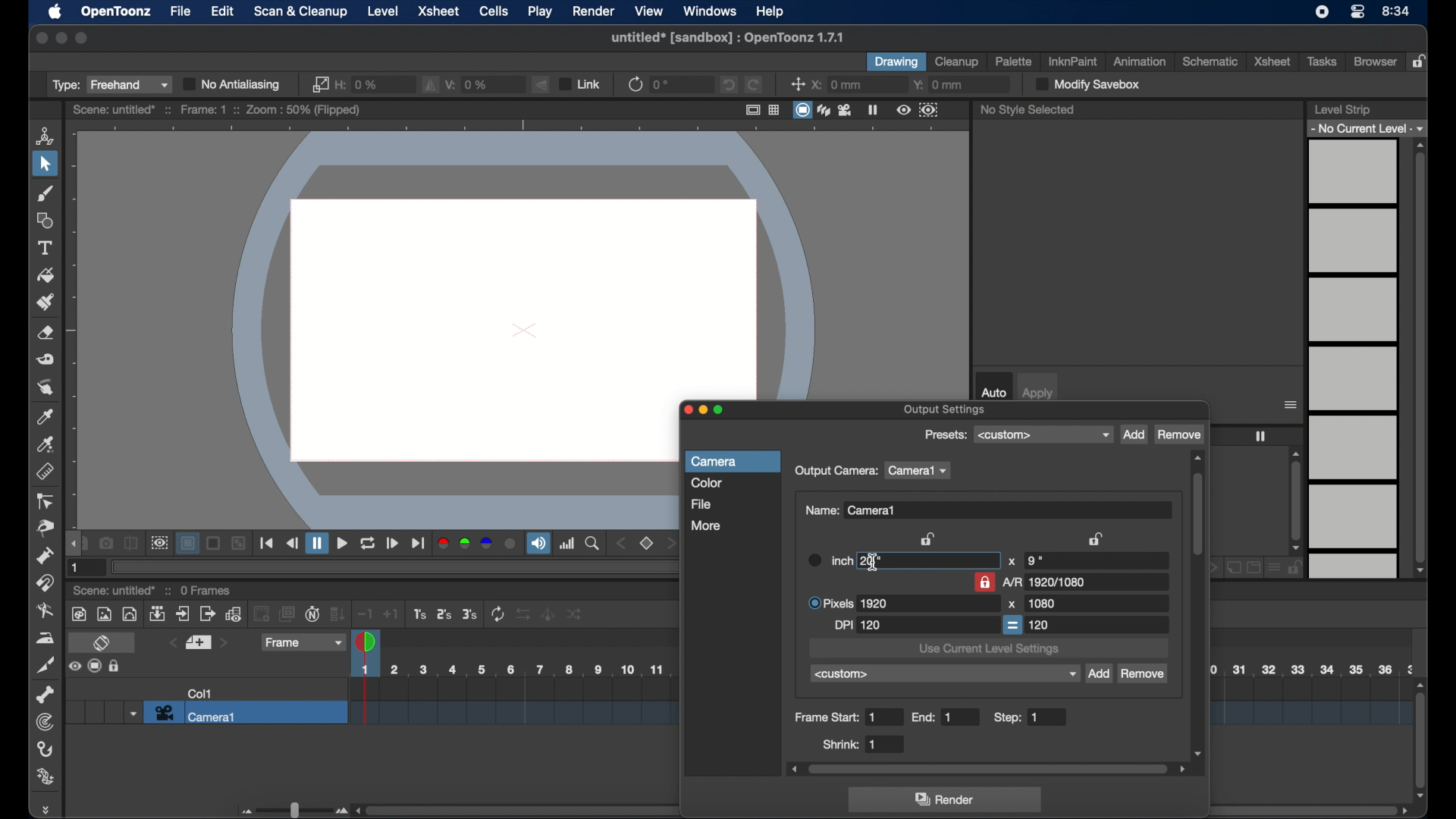 The height and width of the screenshot is (819, 1456). What do you see at coordinates (1040, 624) in the screenshot?
I see `120` at bounding box center [1040, 624].